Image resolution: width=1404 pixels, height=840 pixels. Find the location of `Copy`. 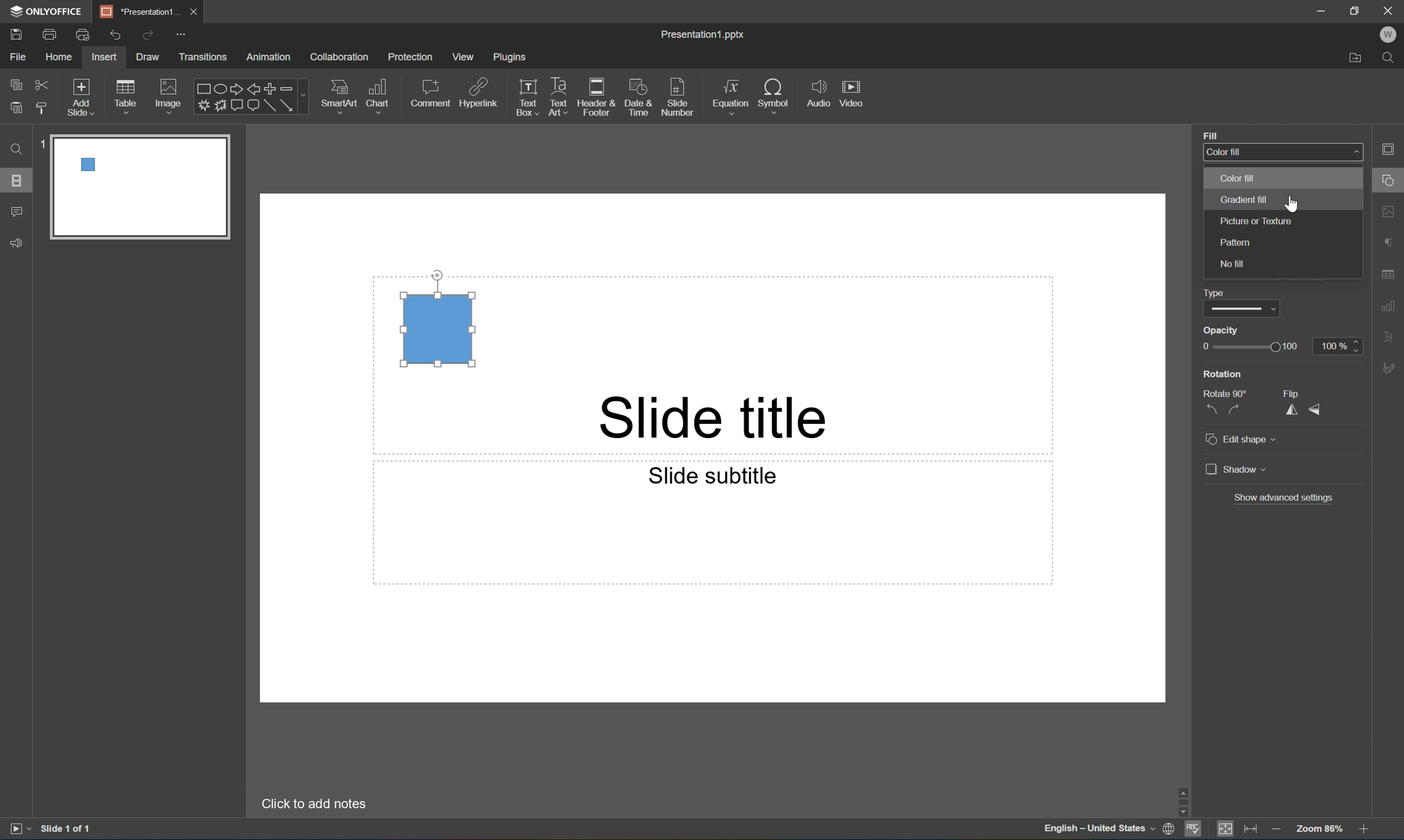

Copy is located at coordinates (17, 83).